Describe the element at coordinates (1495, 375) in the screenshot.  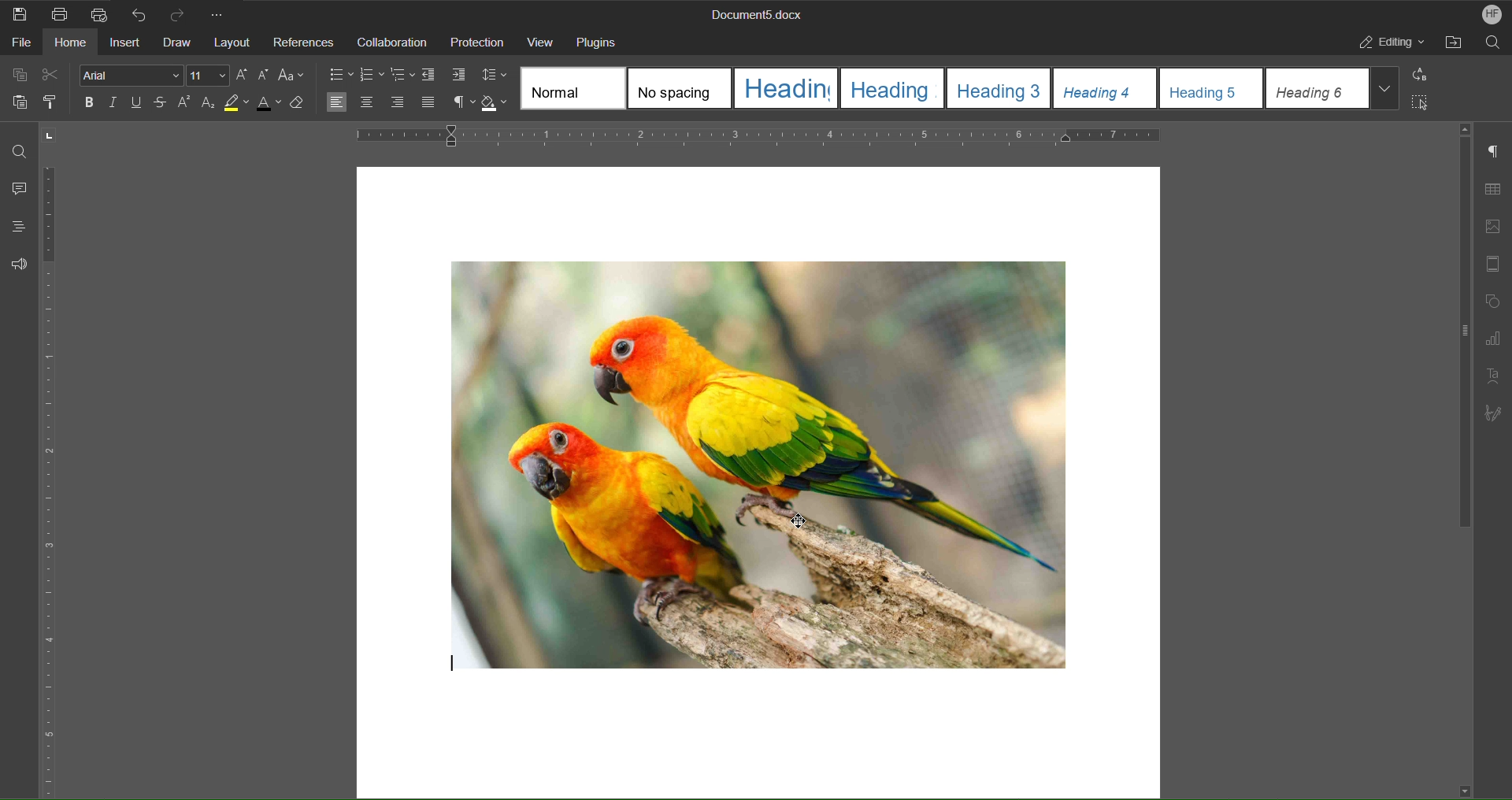
I see `Text Art` at that location.